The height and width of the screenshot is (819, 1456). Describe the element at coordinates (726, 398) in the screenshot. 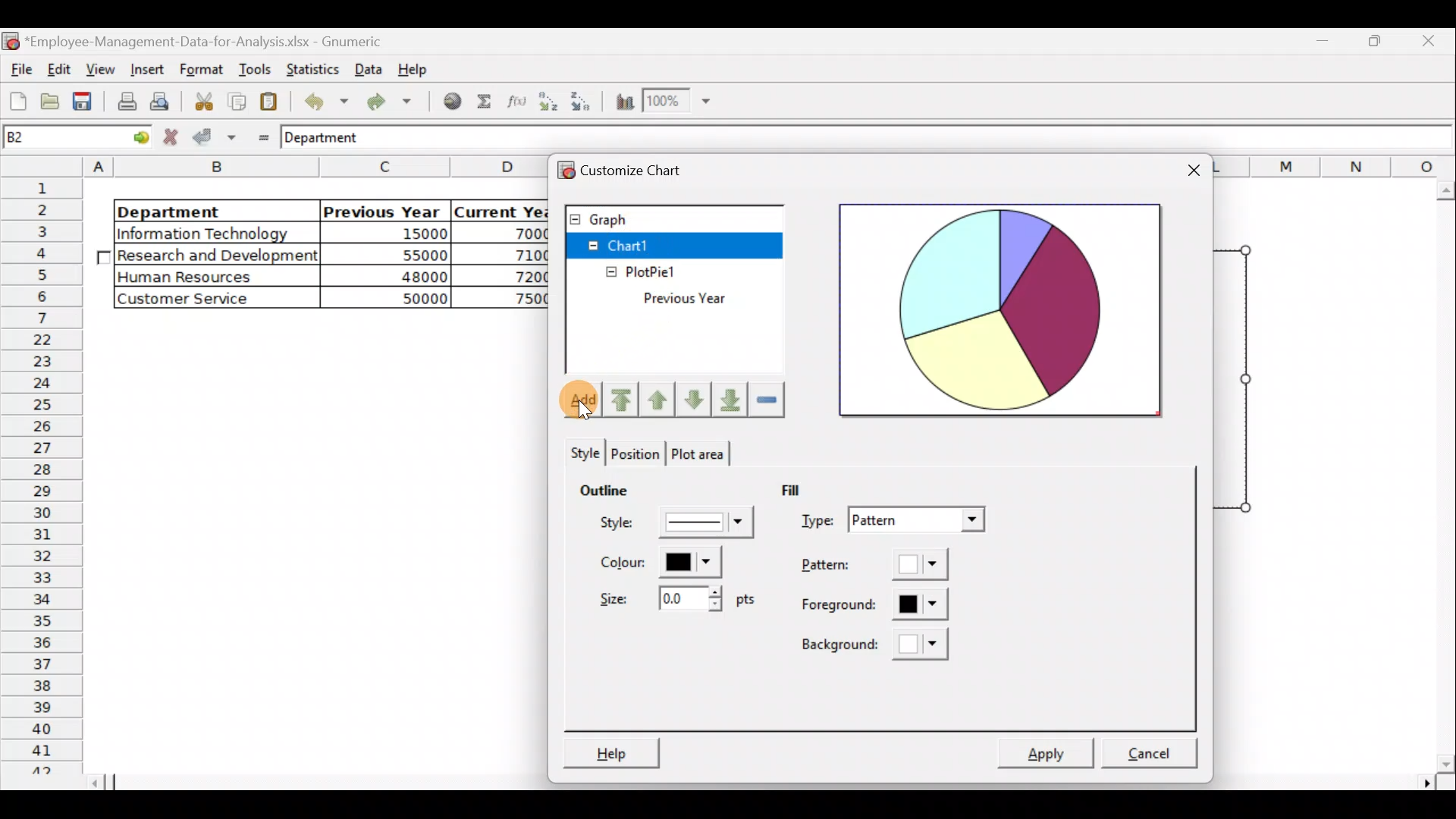

I see `Move downward` at that location.